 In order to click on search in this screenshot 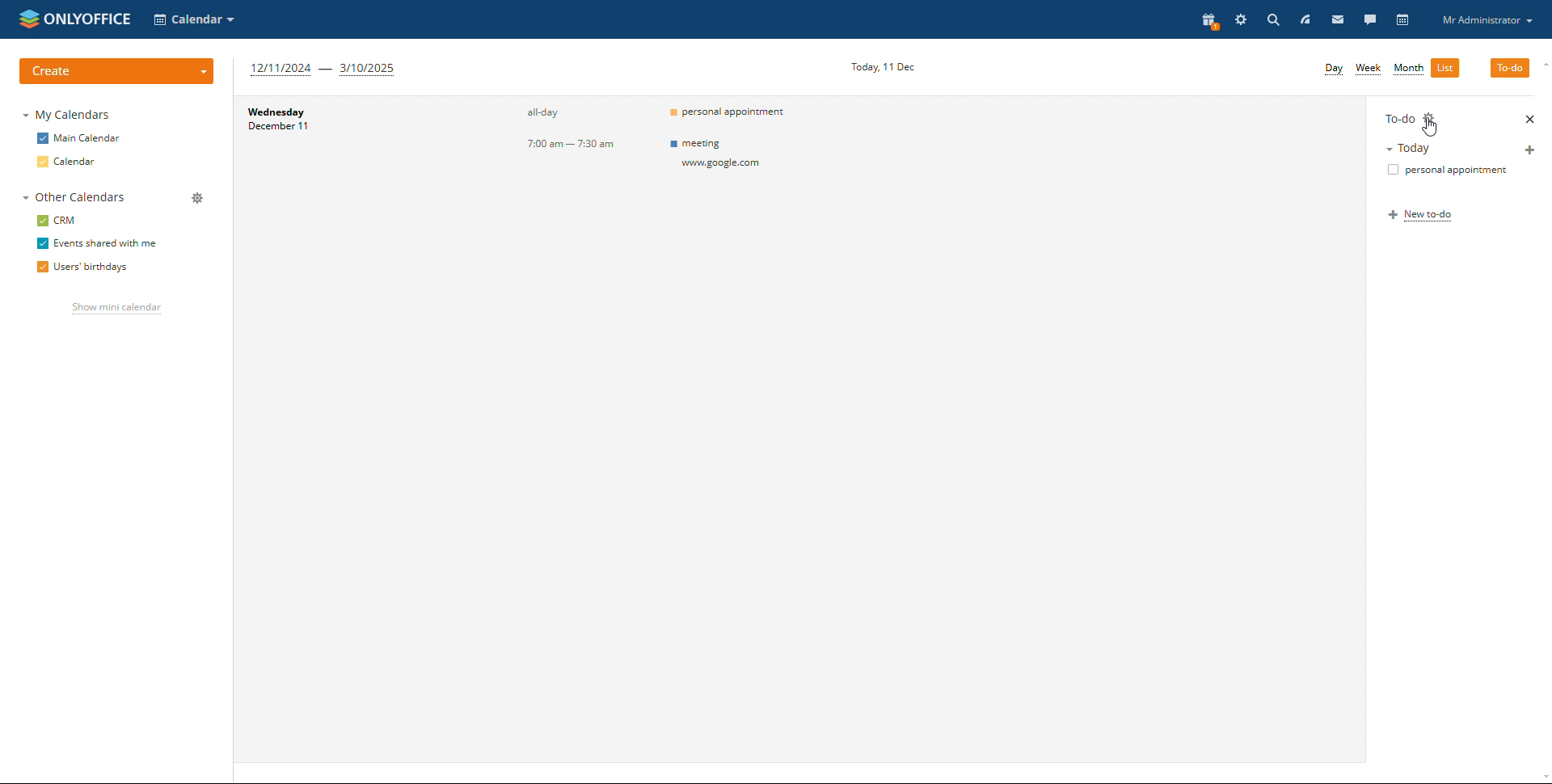, I will do `click(1274, 20)`.